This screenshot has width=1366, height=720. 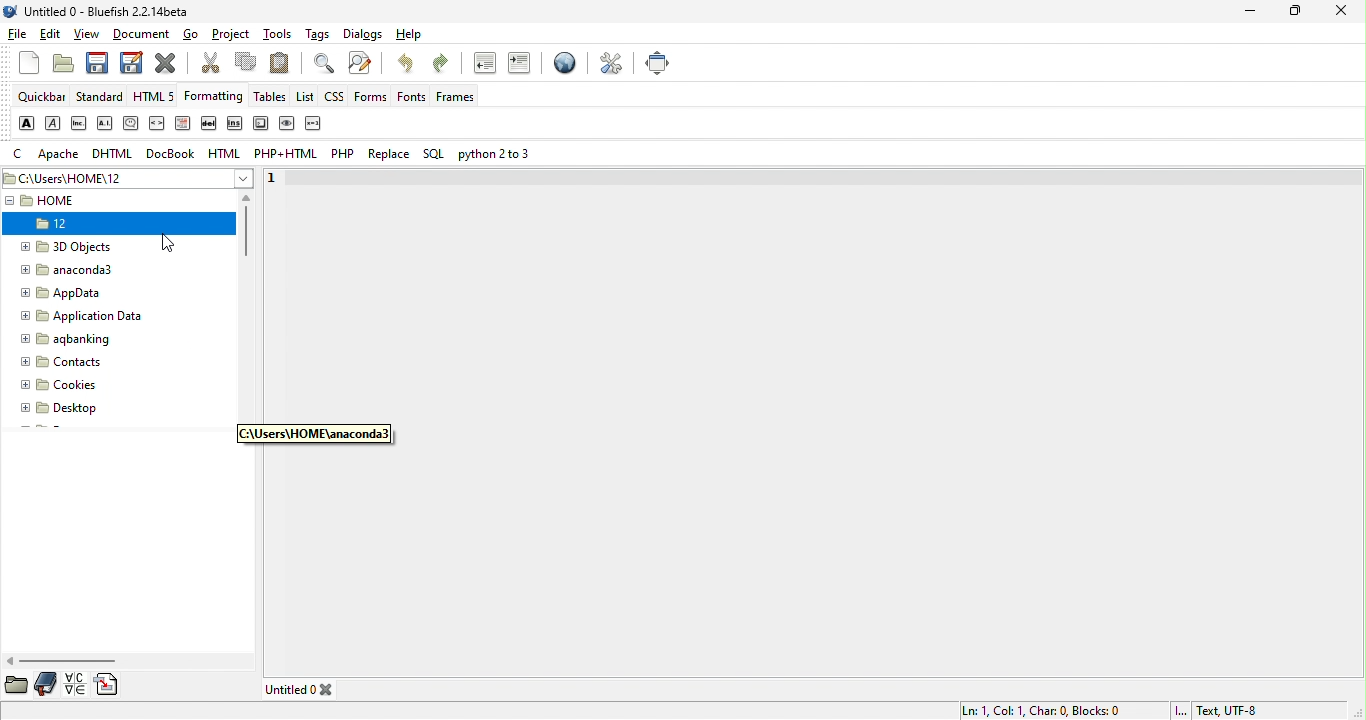 I want to click on abbreviation, so click(x=79, y=124).